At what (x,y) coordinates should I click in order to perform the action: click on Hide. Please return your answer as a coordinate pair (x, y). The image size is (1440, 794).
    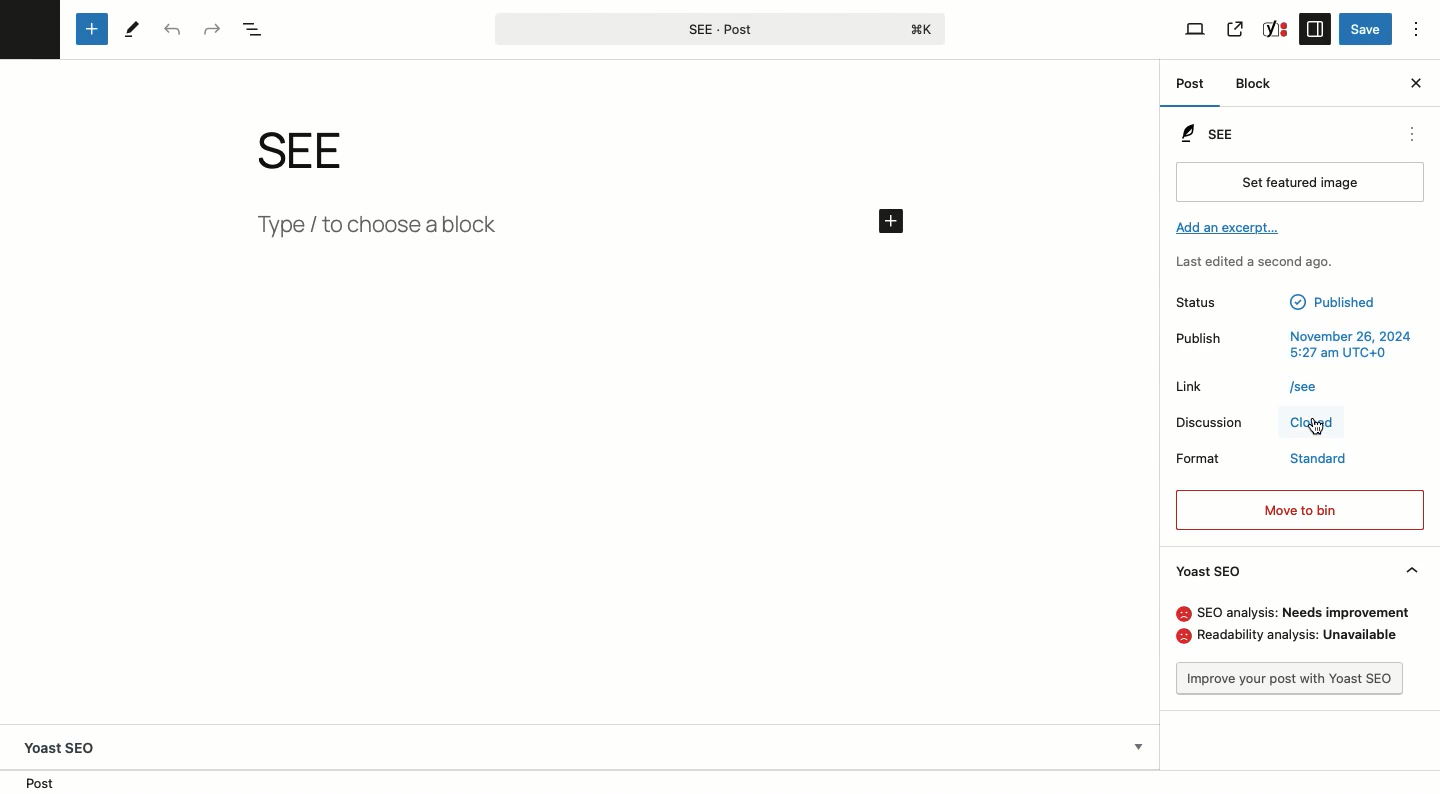
    Looking at the image, I should click on (1414, 568).